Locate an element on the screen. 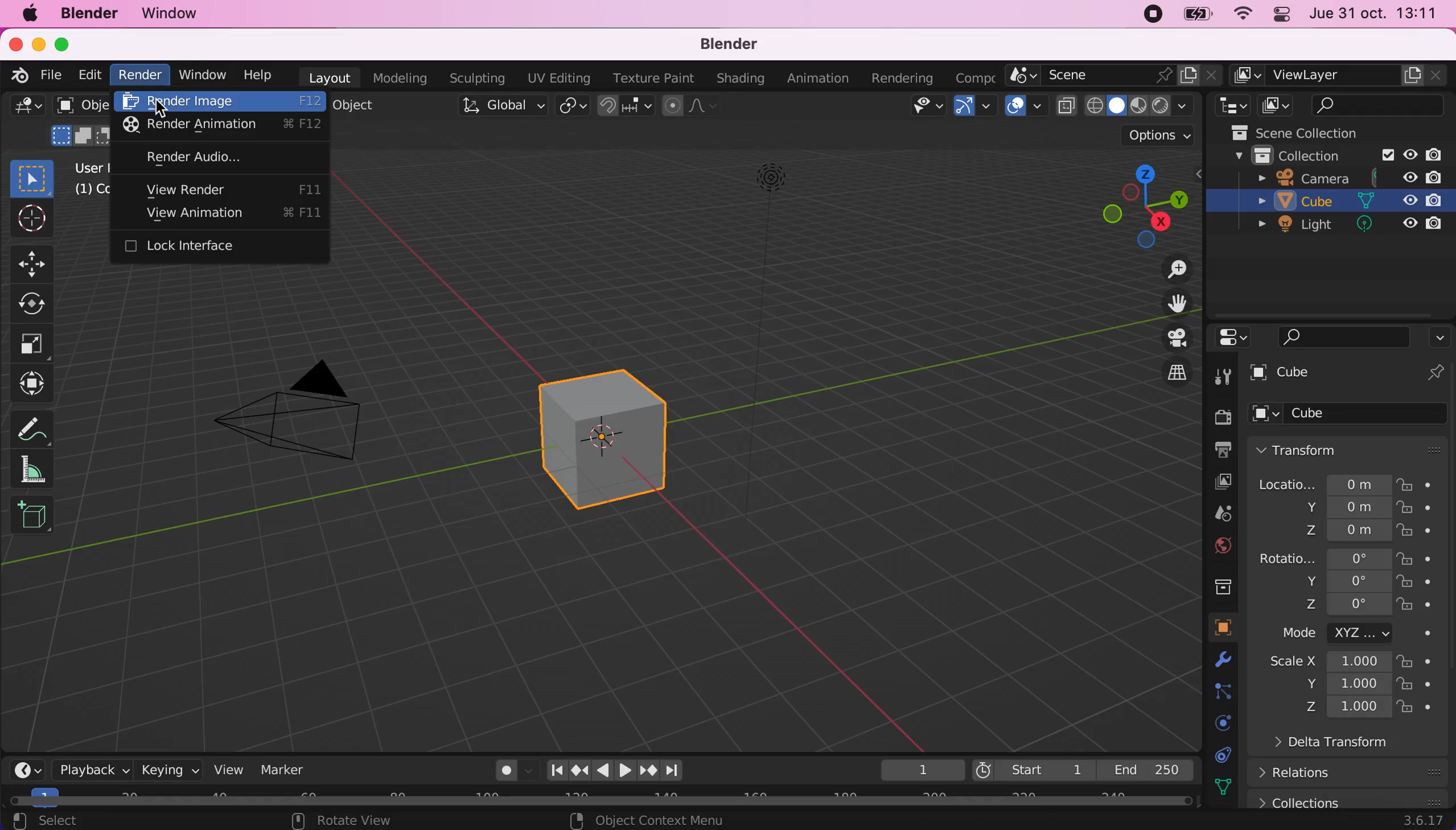  render is located at coordinates (1222, 418).